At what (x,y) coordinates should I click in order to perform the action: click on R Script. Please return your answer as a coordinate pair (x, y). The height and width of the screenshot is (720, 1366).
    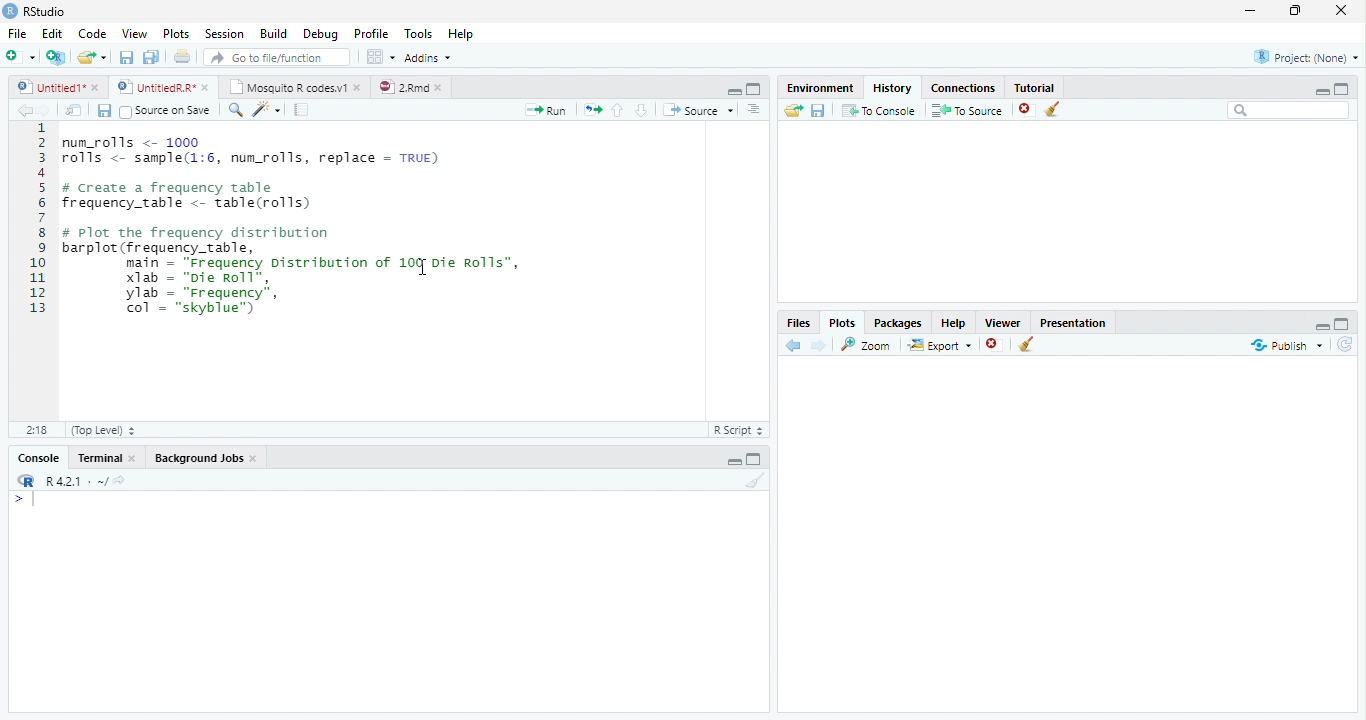
    Looking at the image, I should click on (739, 430).